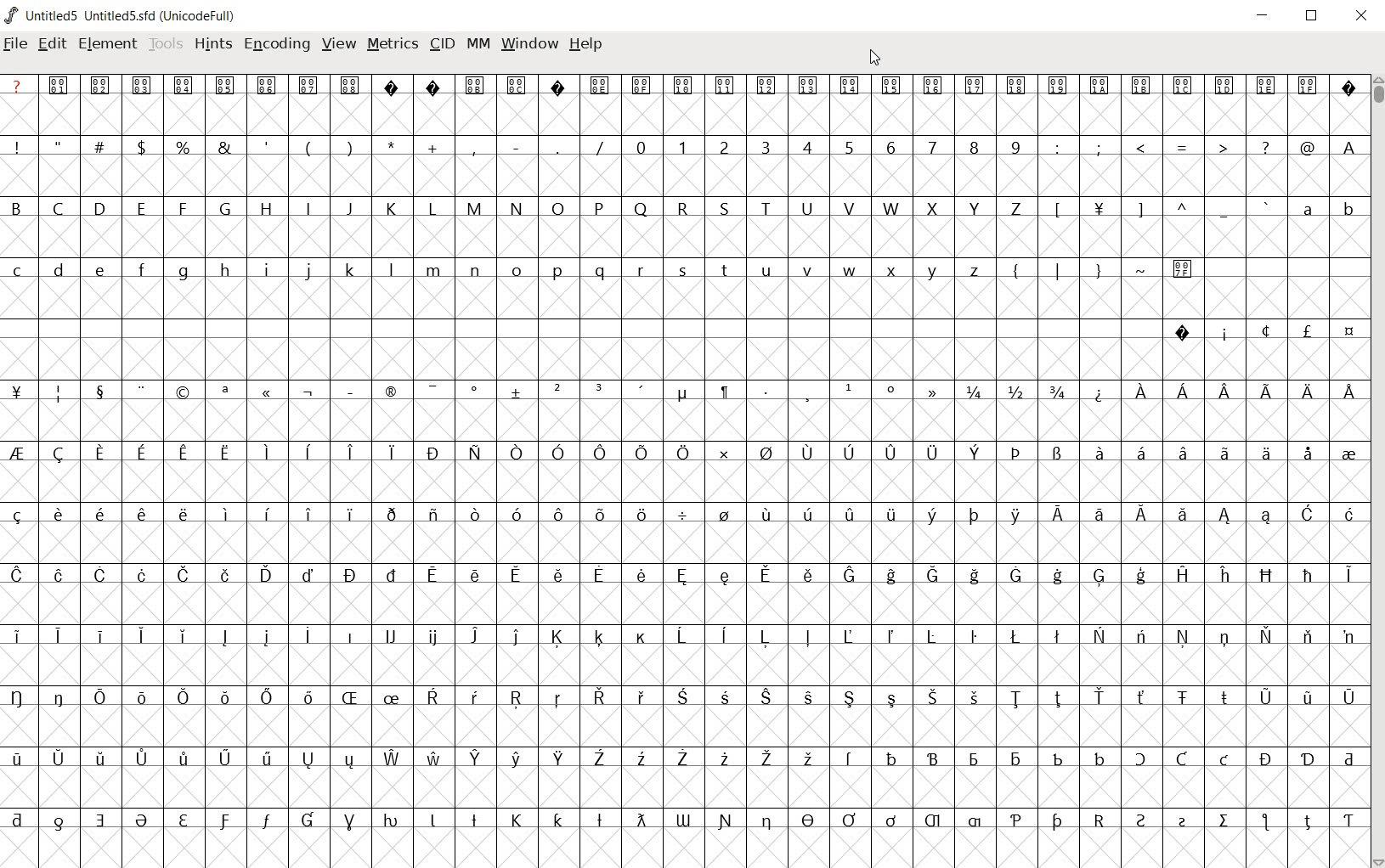 This screenshot has width=1385, height=868. I want to click on C, so click(60, 210).